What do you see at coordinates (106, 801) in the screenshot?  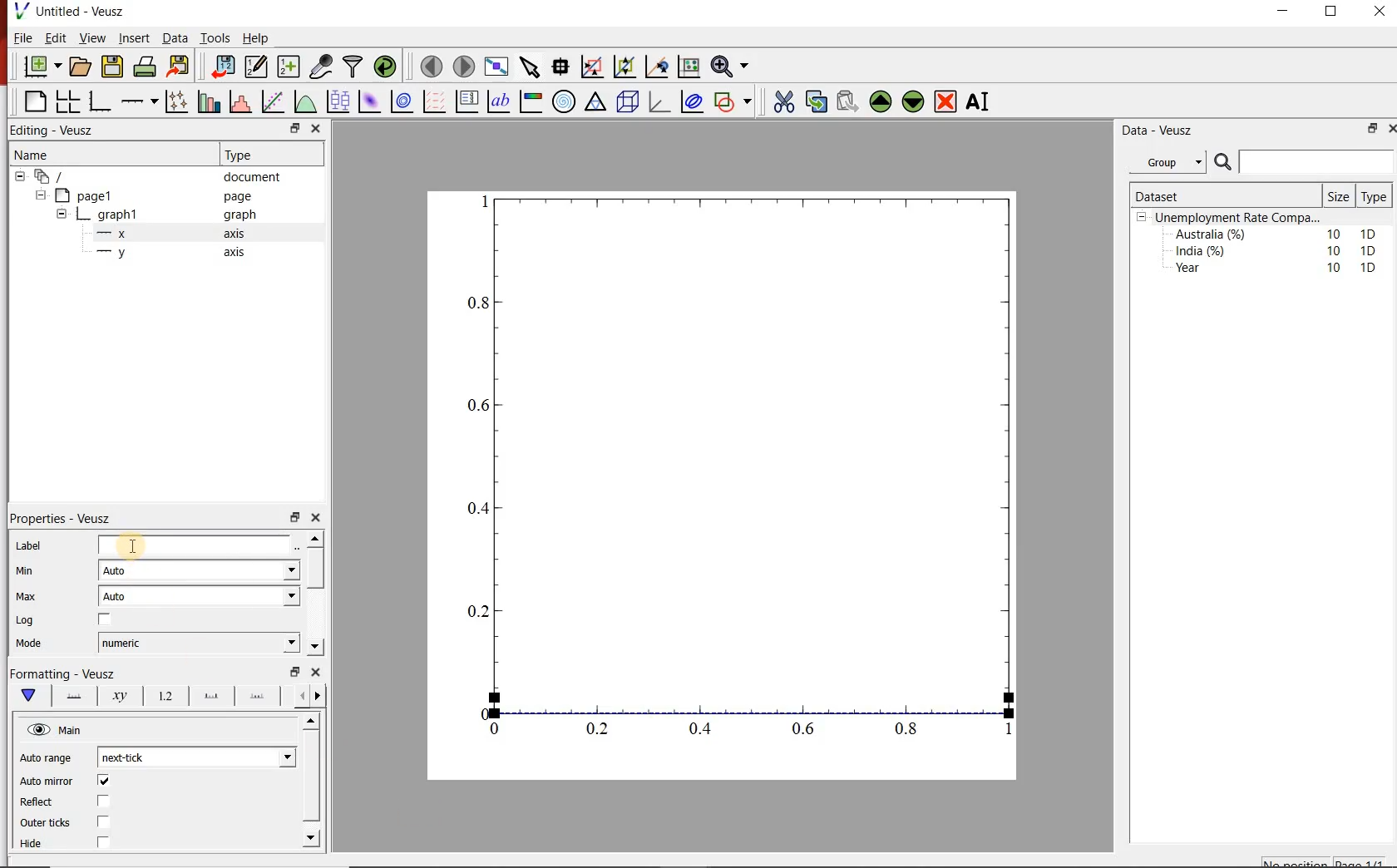 I see `checkbox` at bounding box center [106, 801].